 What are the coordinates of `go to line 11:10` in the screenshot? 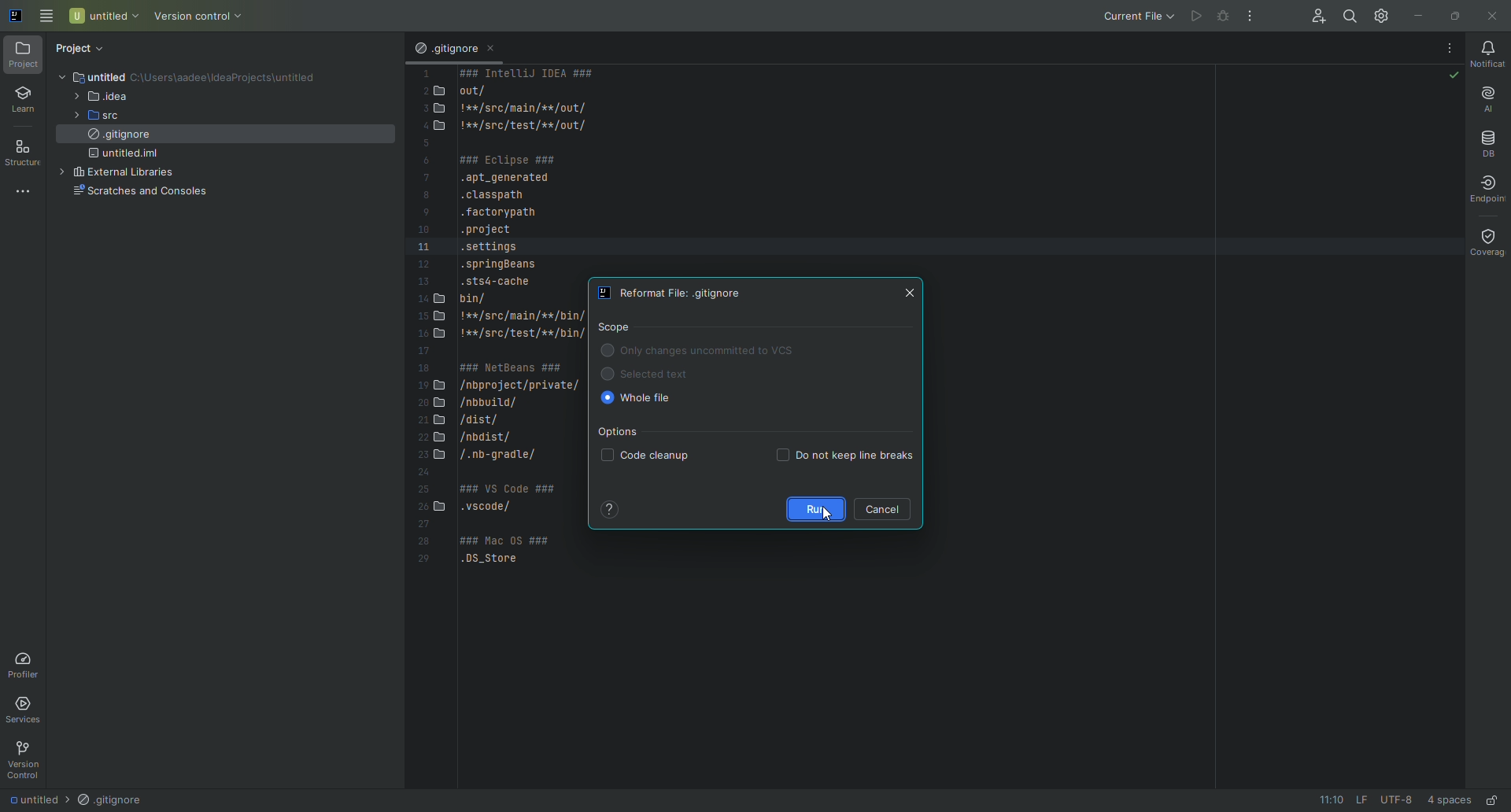 It's located at (1324, 800).